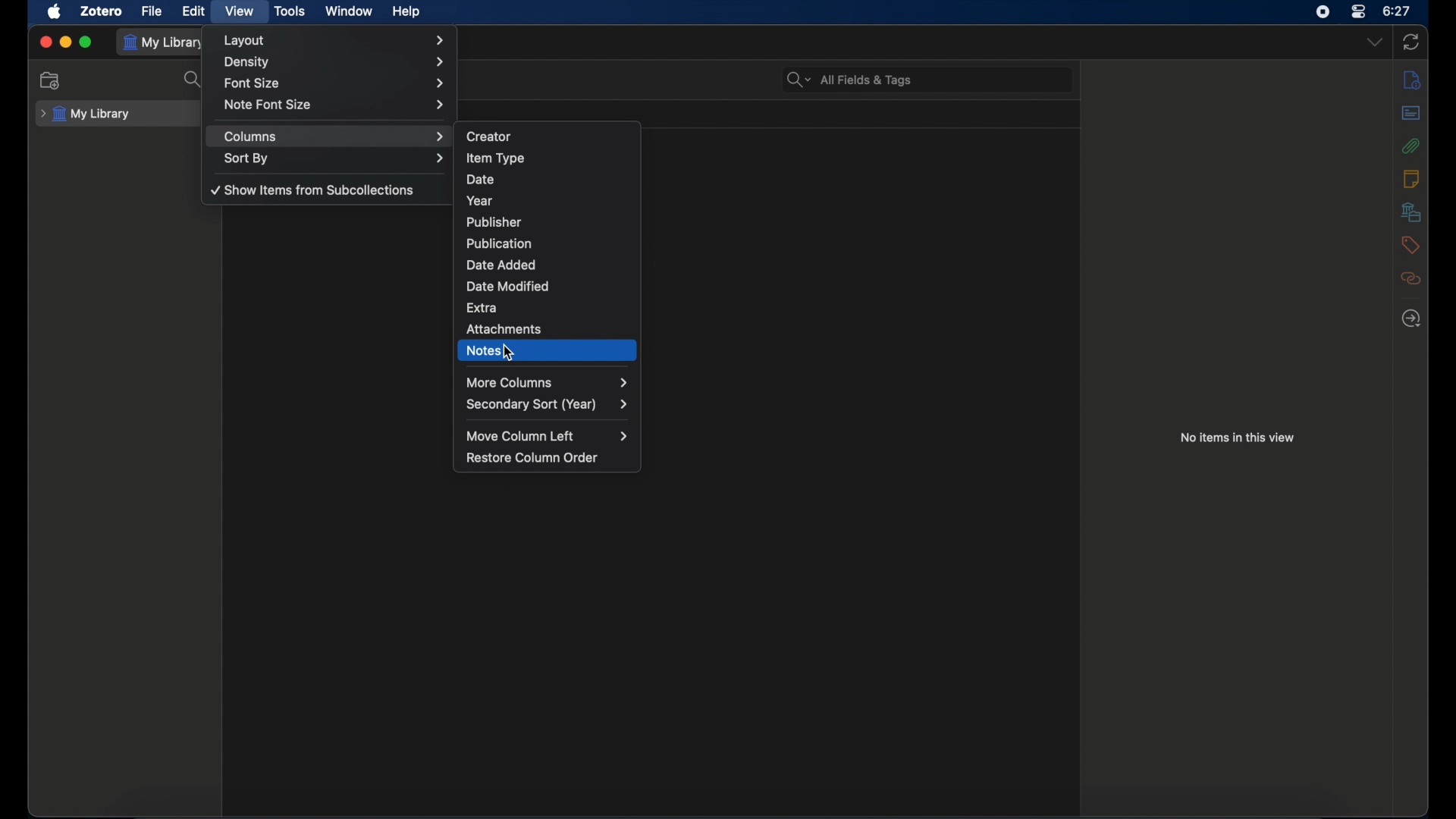  What do you see at coordinates (334, 40) in the screenshot?
I see `layout` at bounding box center [334, 40].